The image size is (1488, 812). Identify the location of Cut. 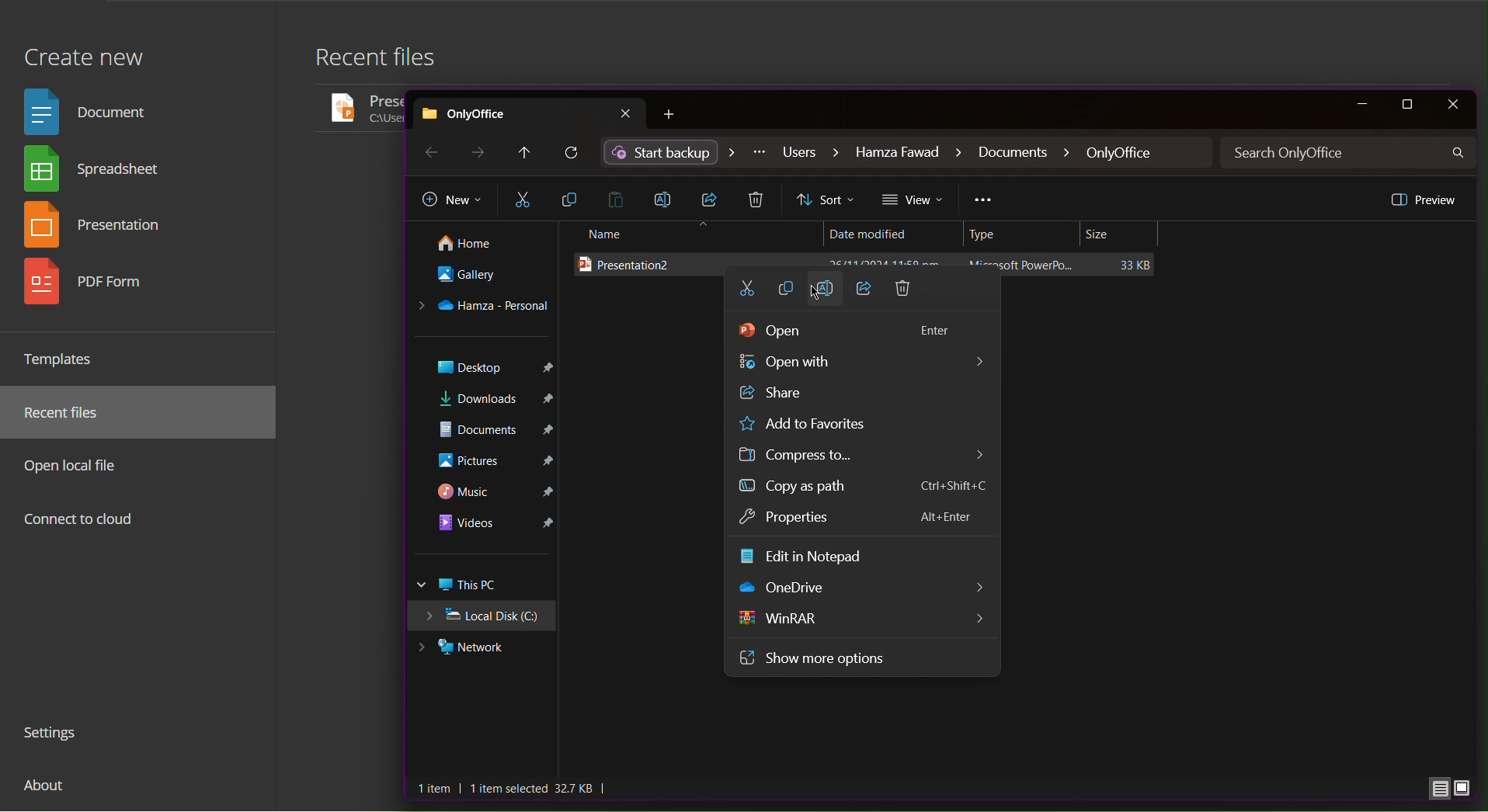
(746, 295).